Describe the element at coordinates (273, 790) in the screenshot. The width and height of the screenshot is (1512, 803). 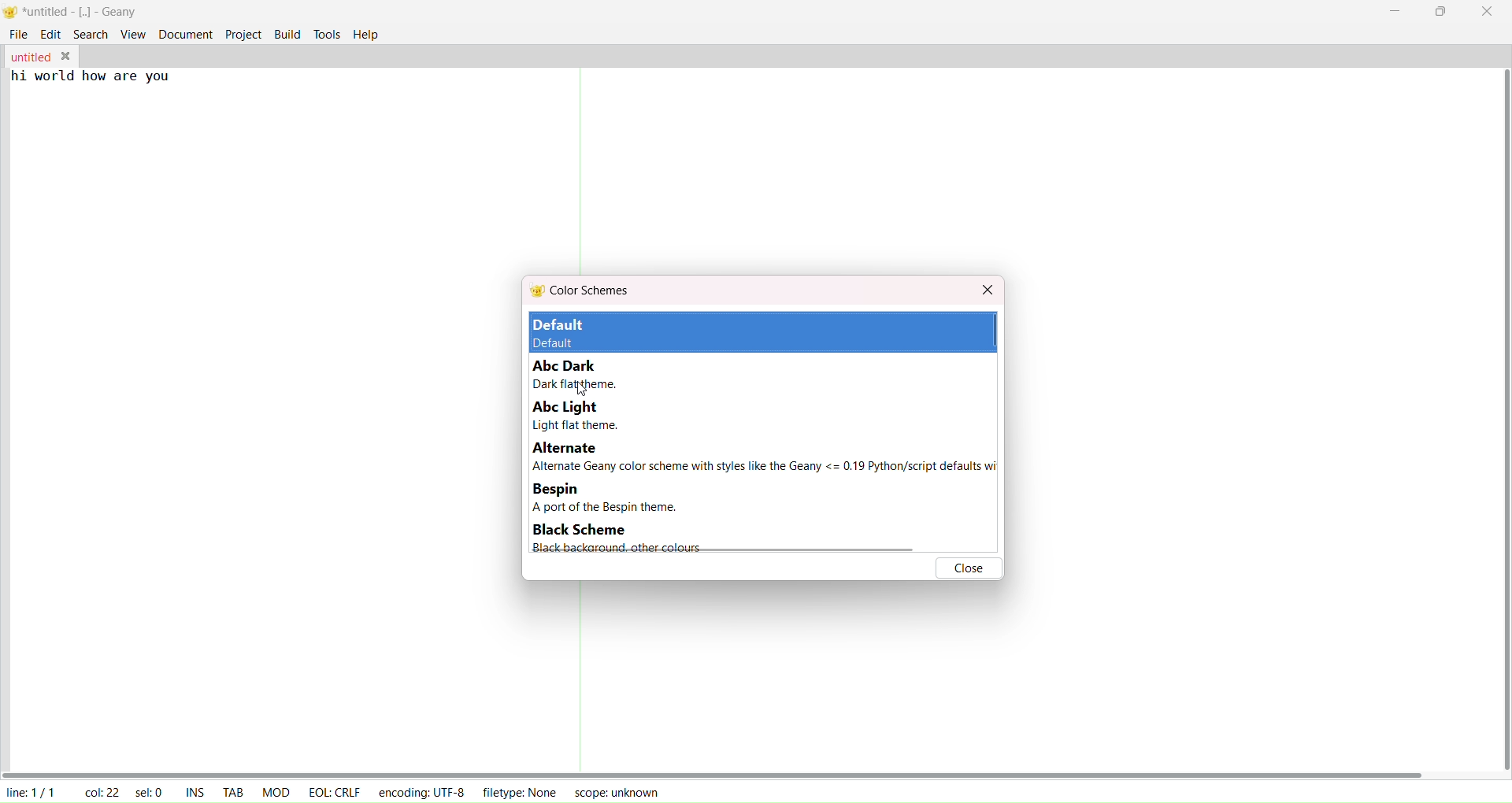
I see `mod` at that location.